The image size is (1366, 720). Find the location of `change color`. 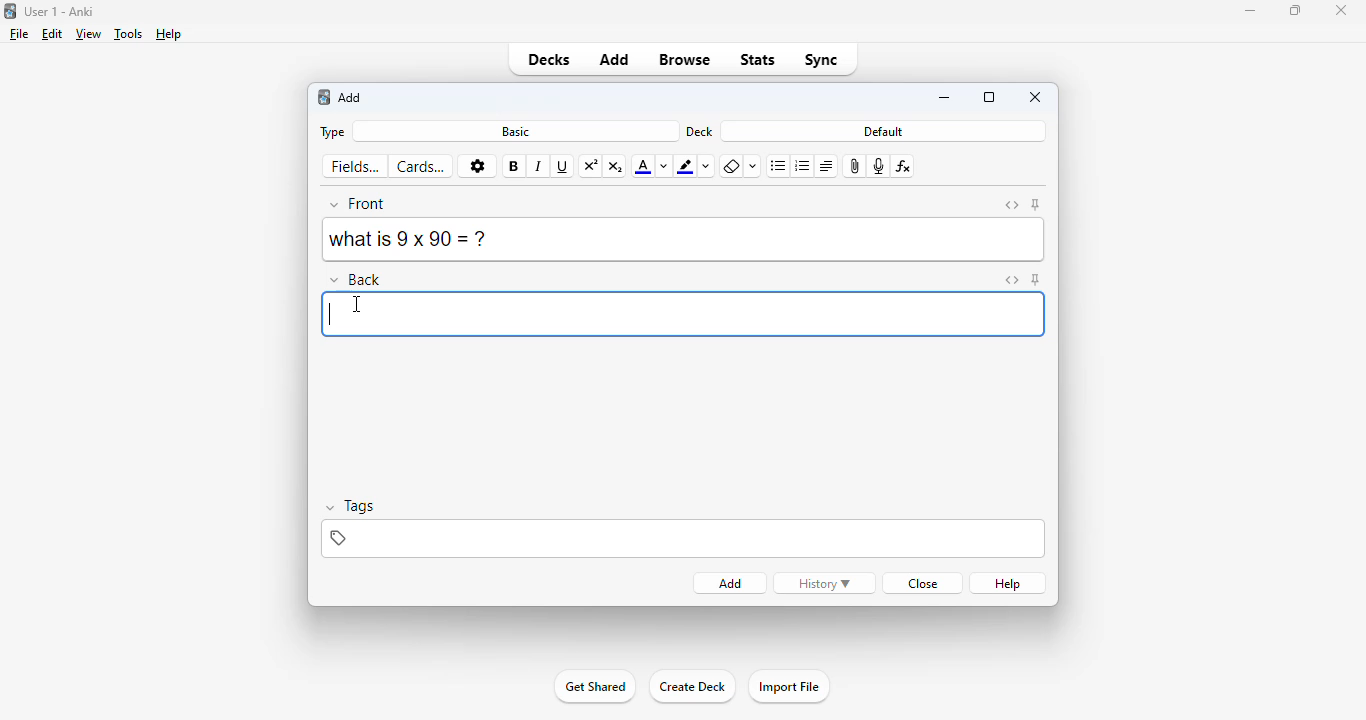

change color is located at coordinates (707, 166).